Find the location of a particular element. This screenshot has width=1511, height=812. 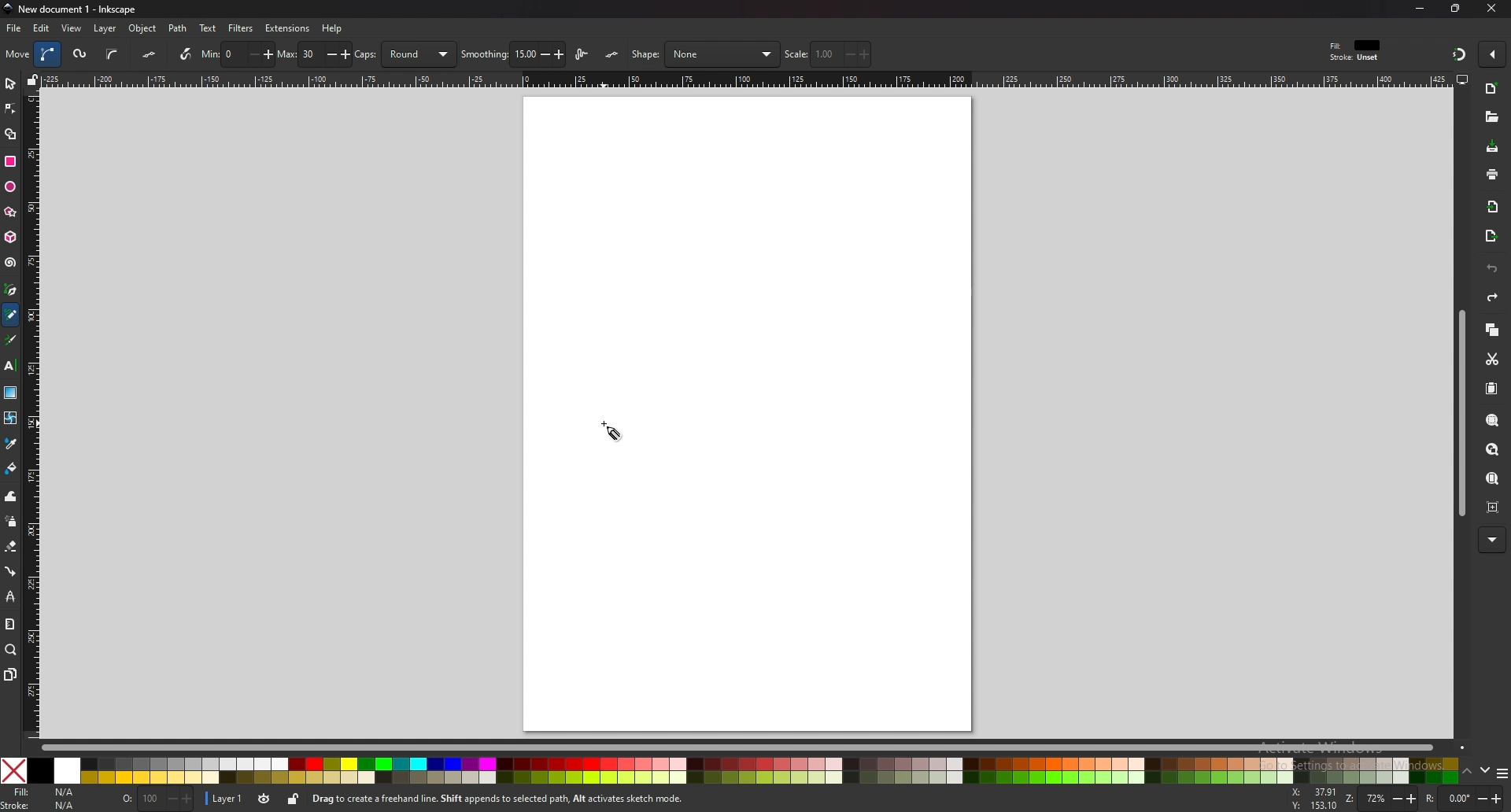

bezier path is located at coordinates (50, 54).